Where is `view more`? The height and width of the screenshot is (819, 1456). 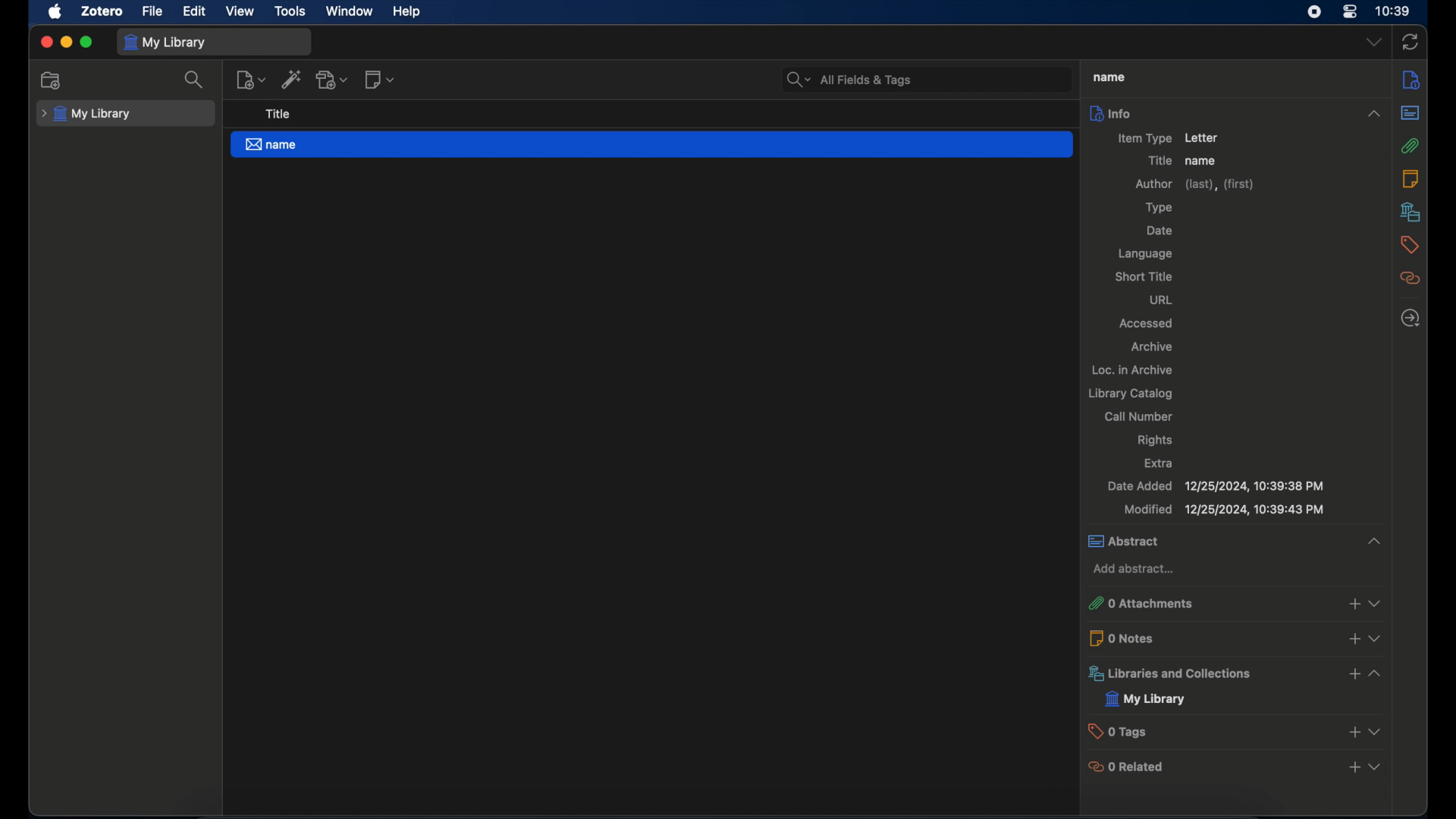
view more is located at coordinates (1376, 673).